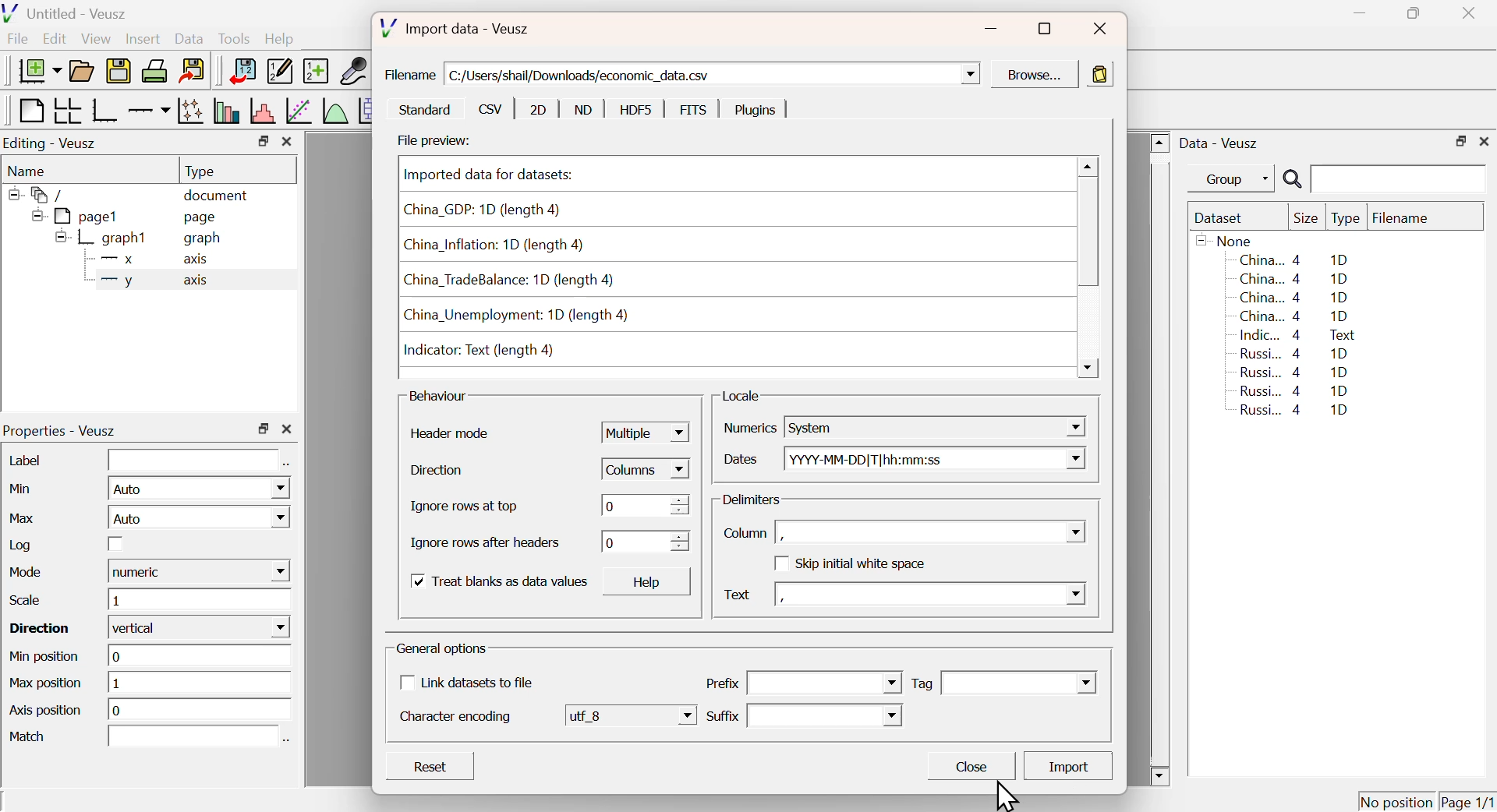 This screenshot has height=812, width=1497. Describe the element at coordinates (692, 111) in the screenshot. I see `FITS` at that location.